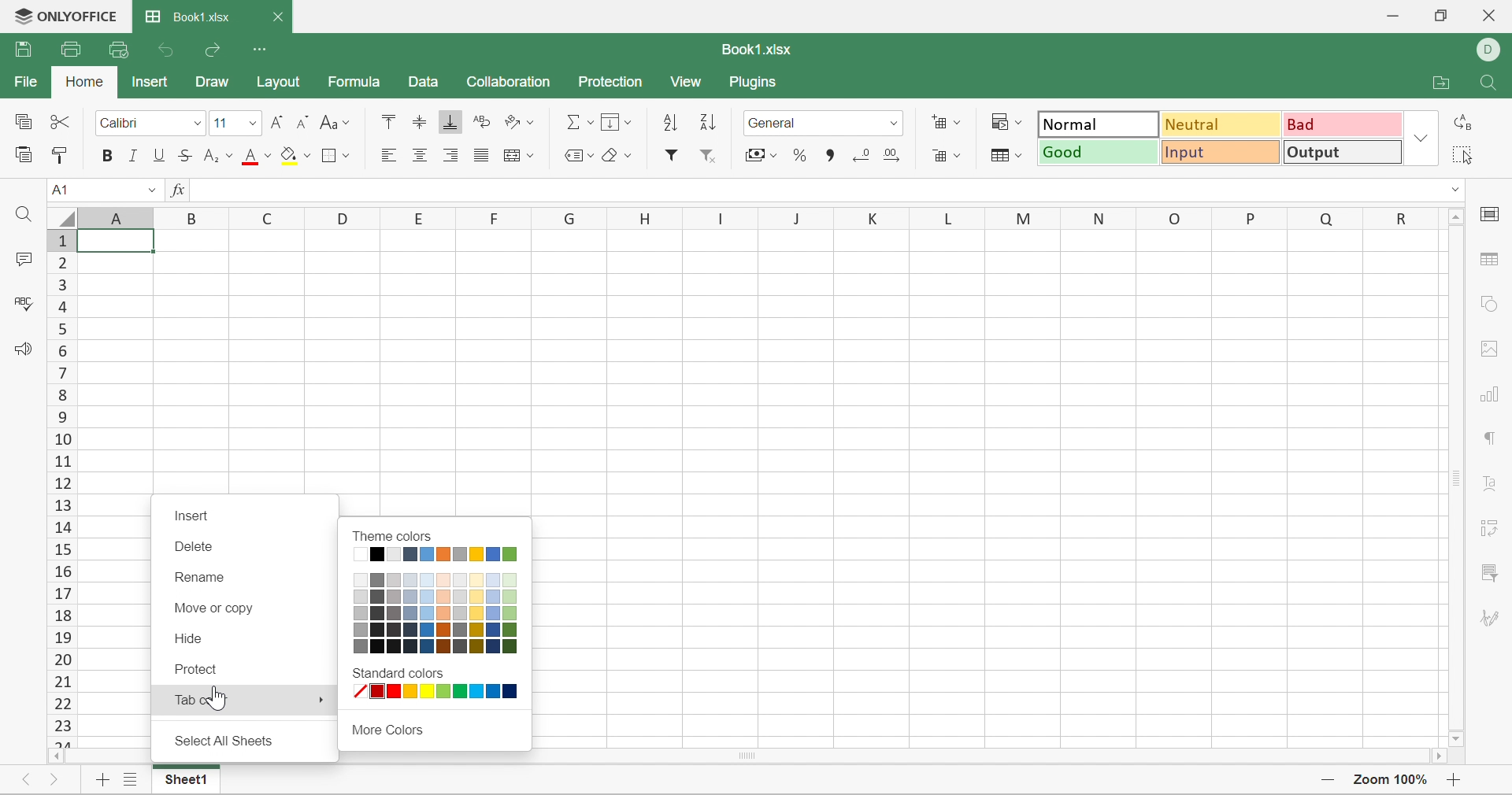  I want to click on Drop Down, so click(143, 189).